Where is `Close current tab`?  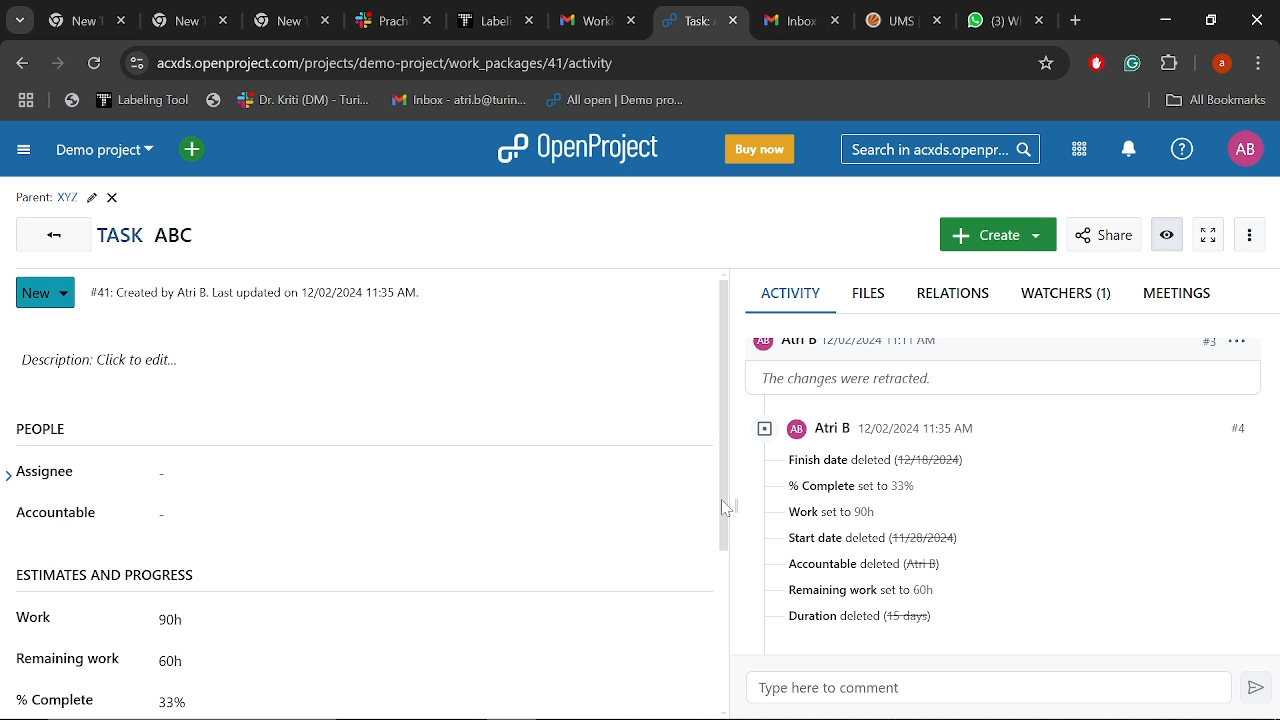 Close current tab is located at coordinates (735, 23).